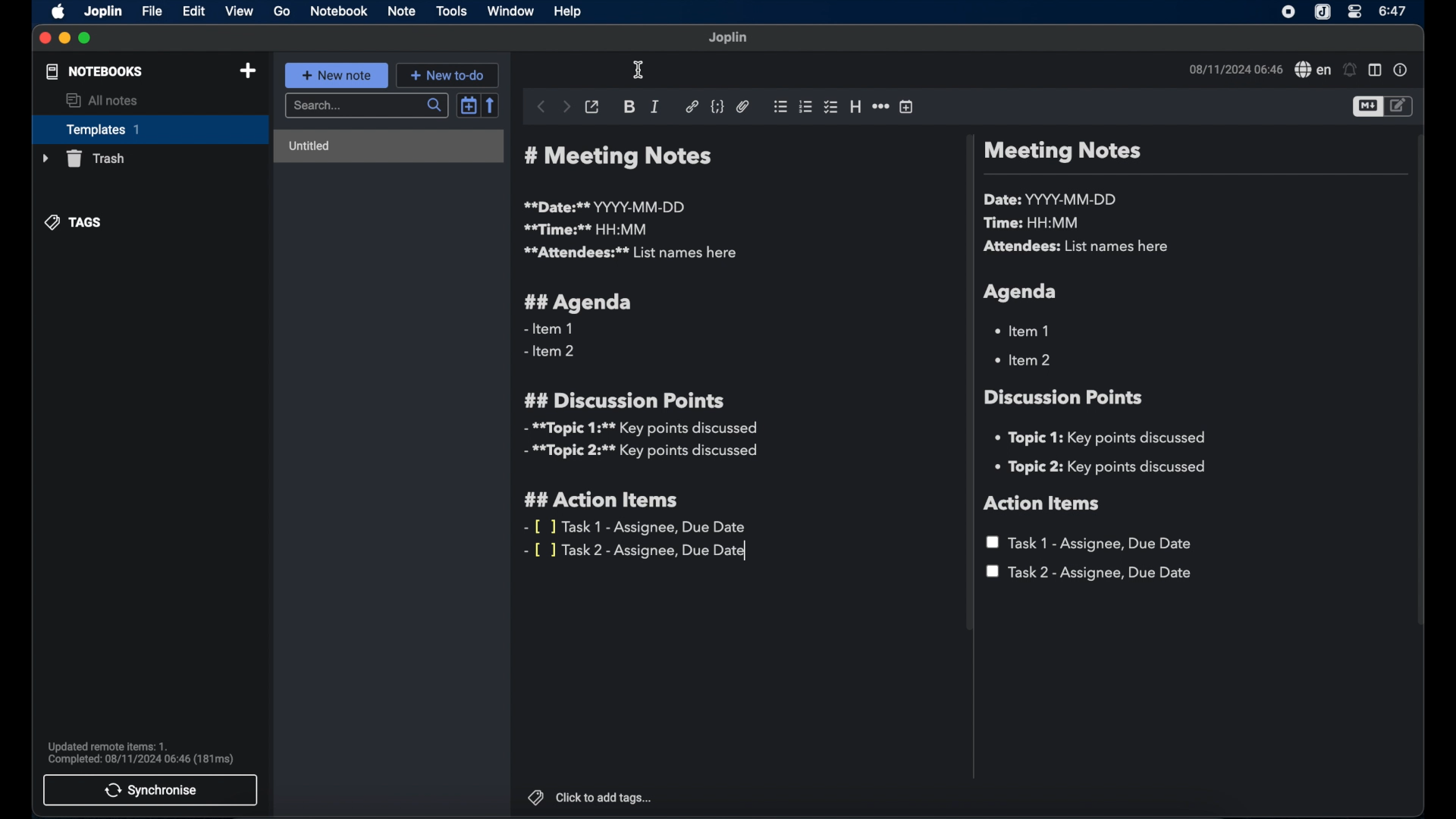  I want to click on ## agenda, so click(579, 303).